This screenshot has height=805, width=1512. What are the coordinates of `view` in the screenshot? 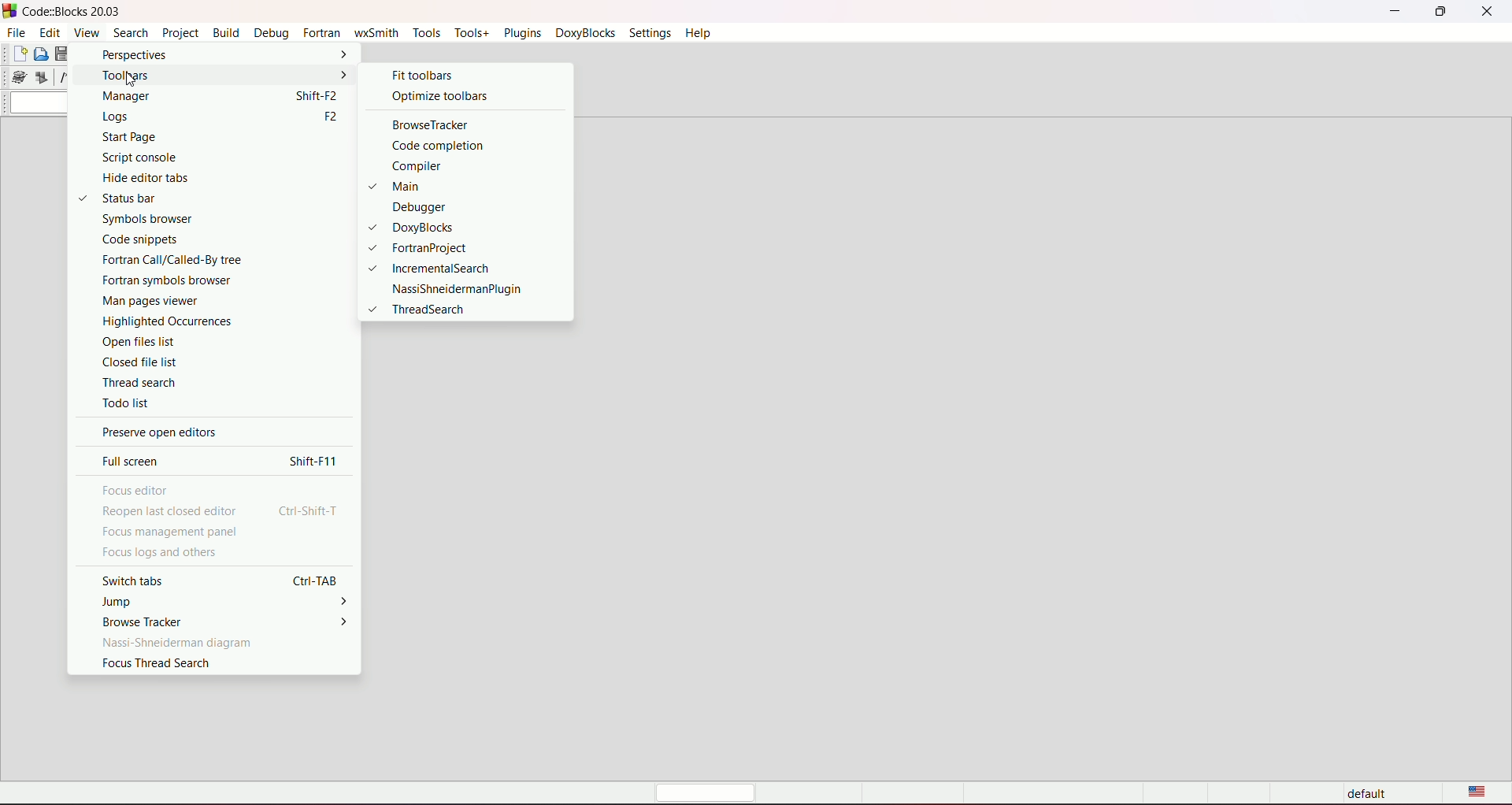 It's located at (84, 32).